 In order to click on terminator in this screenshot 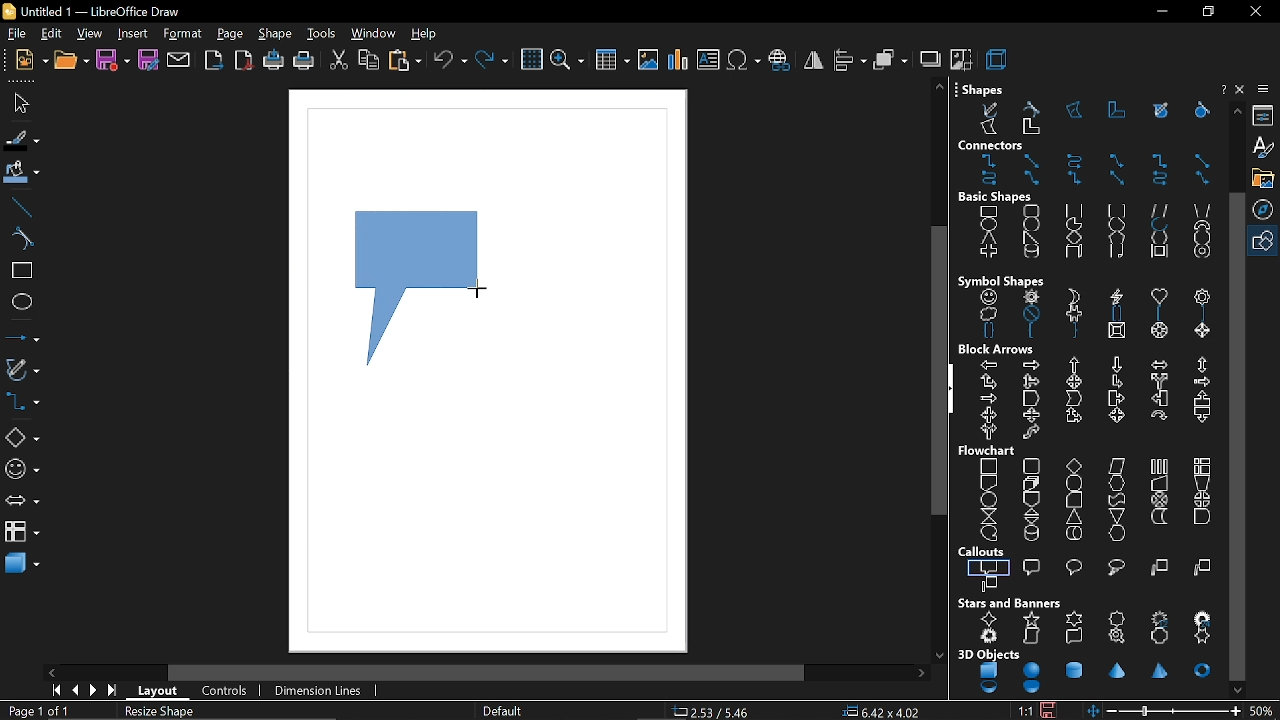, I will do `click(1072, 483)`.